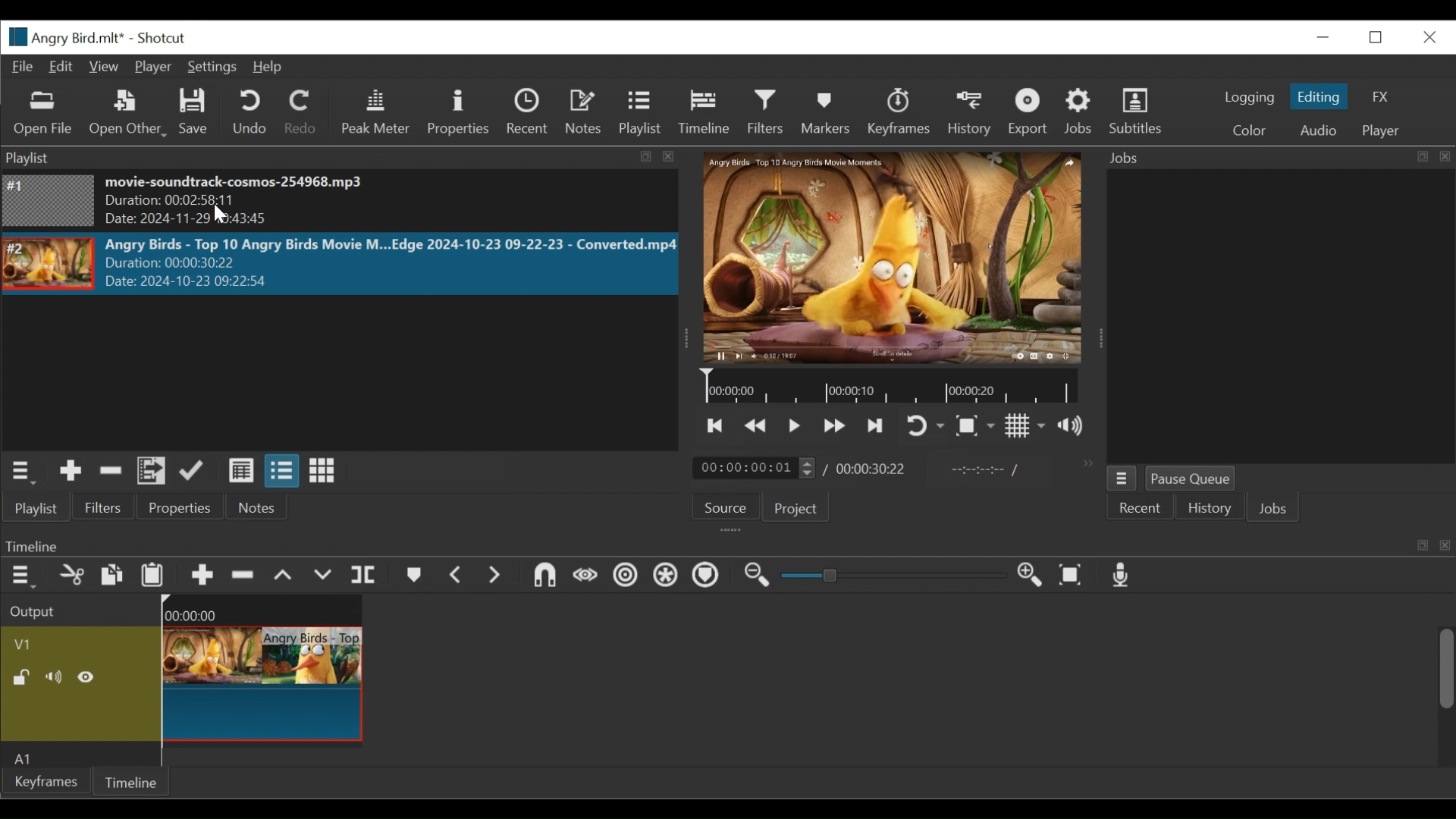  What do you see at coordinates (210, 67) in the screenshot?
I see `Settings` at bounding box center [210, 67].